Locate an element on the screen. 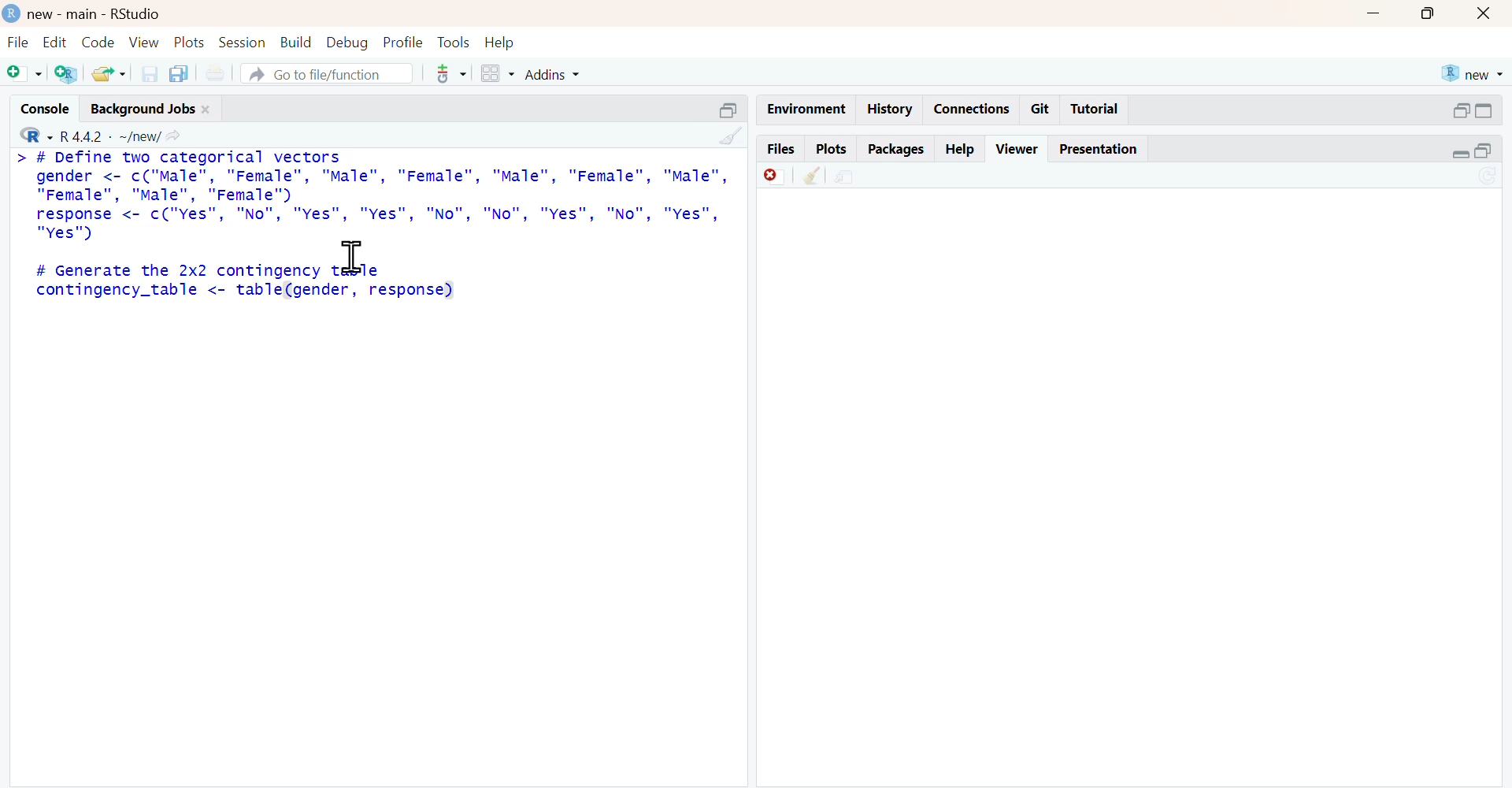 This screenshot has height=788, width=1512. packages is located at coordinates (898, 150).